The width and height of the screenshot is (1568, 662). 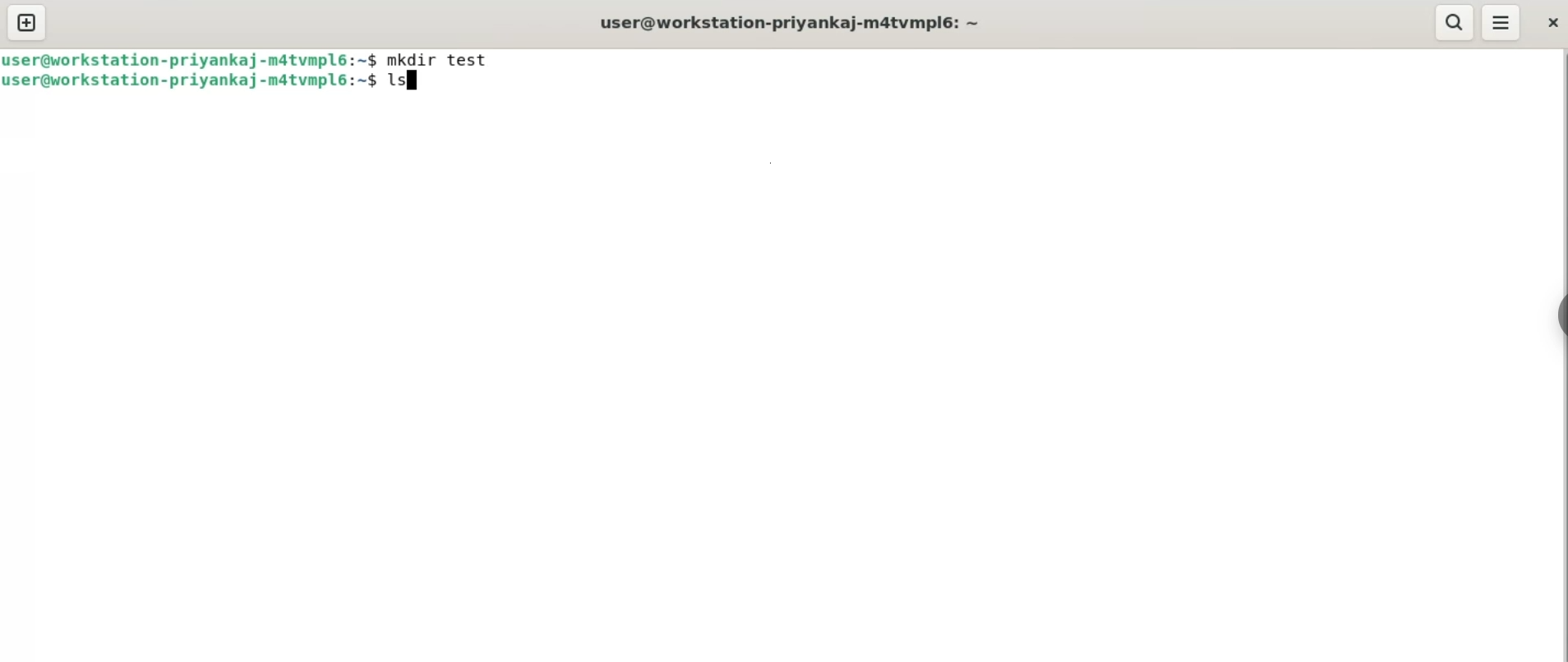 What do you see at coordinates (1549, 25) in the screenshot?
I see `close` at bounding box center [1549, 25].